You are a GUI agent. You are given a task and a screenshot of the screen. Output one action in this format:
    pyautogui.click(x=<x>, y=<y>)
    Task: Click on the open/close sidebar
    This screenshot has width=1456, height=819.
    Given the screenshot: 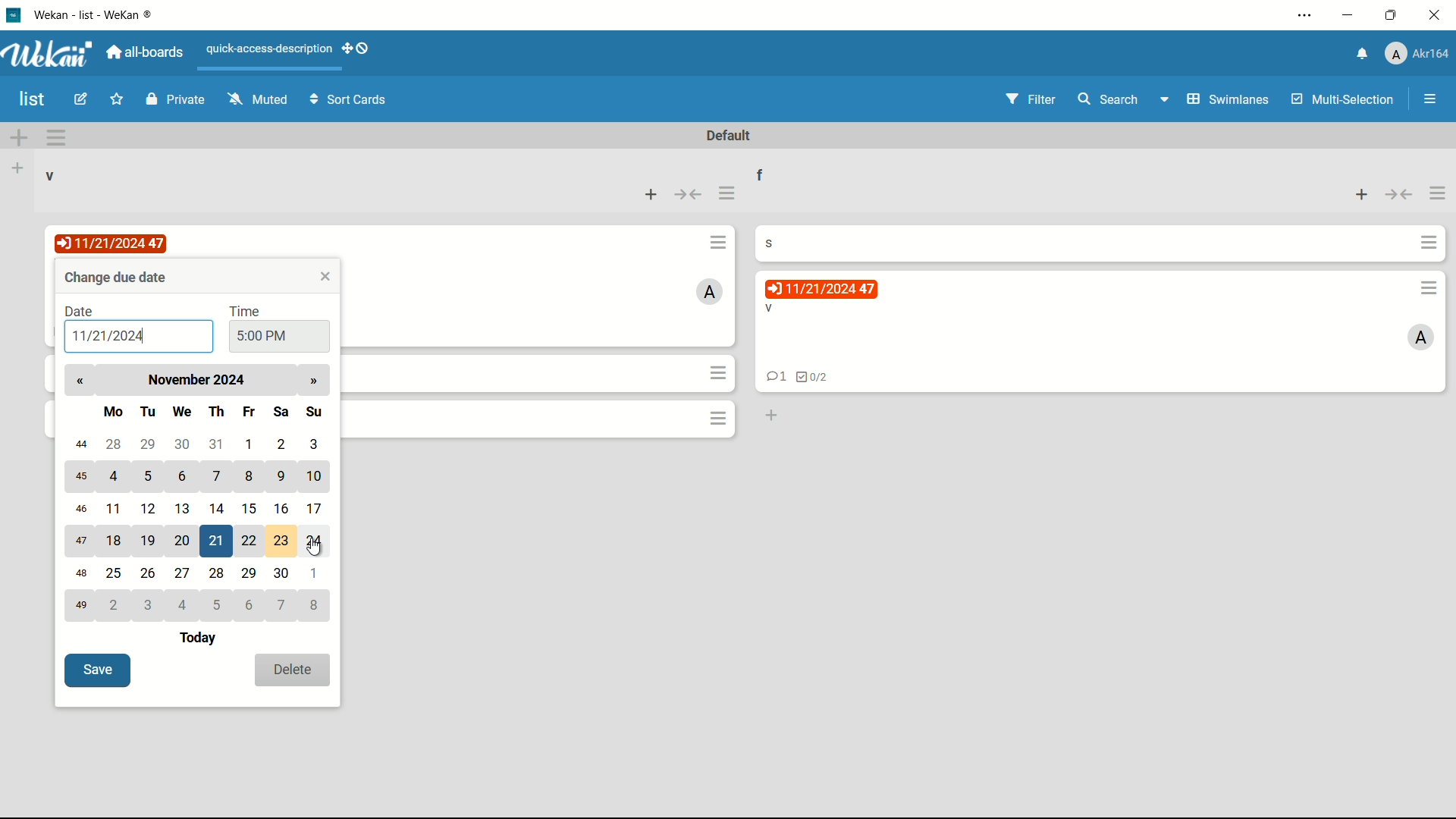 What is the action you would take?
    pyautogui.click(x=1430, y=101)
    